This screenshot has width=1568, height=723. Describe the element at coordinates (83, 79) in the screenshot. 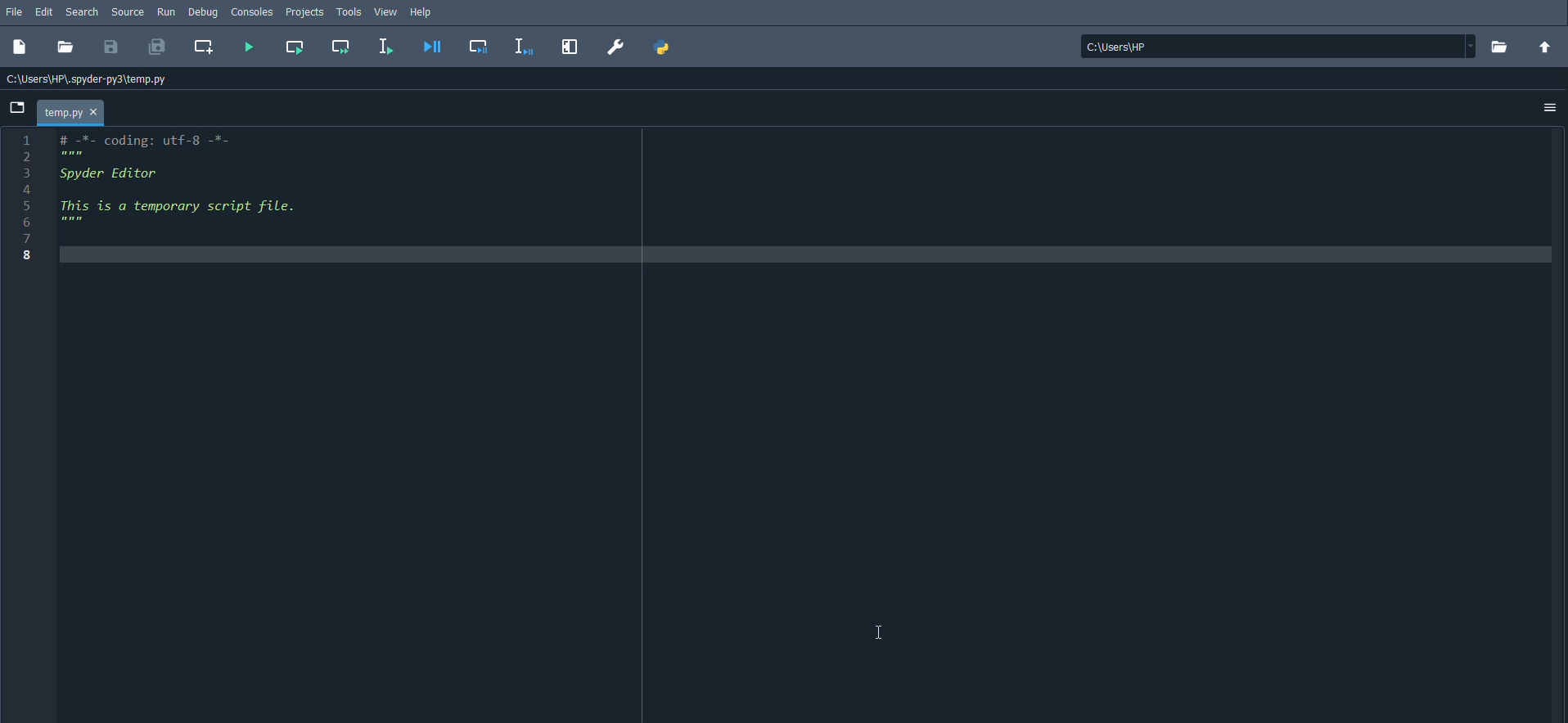

I see `C:\Users\HP\.spyder-py3\temp.py` at that location.